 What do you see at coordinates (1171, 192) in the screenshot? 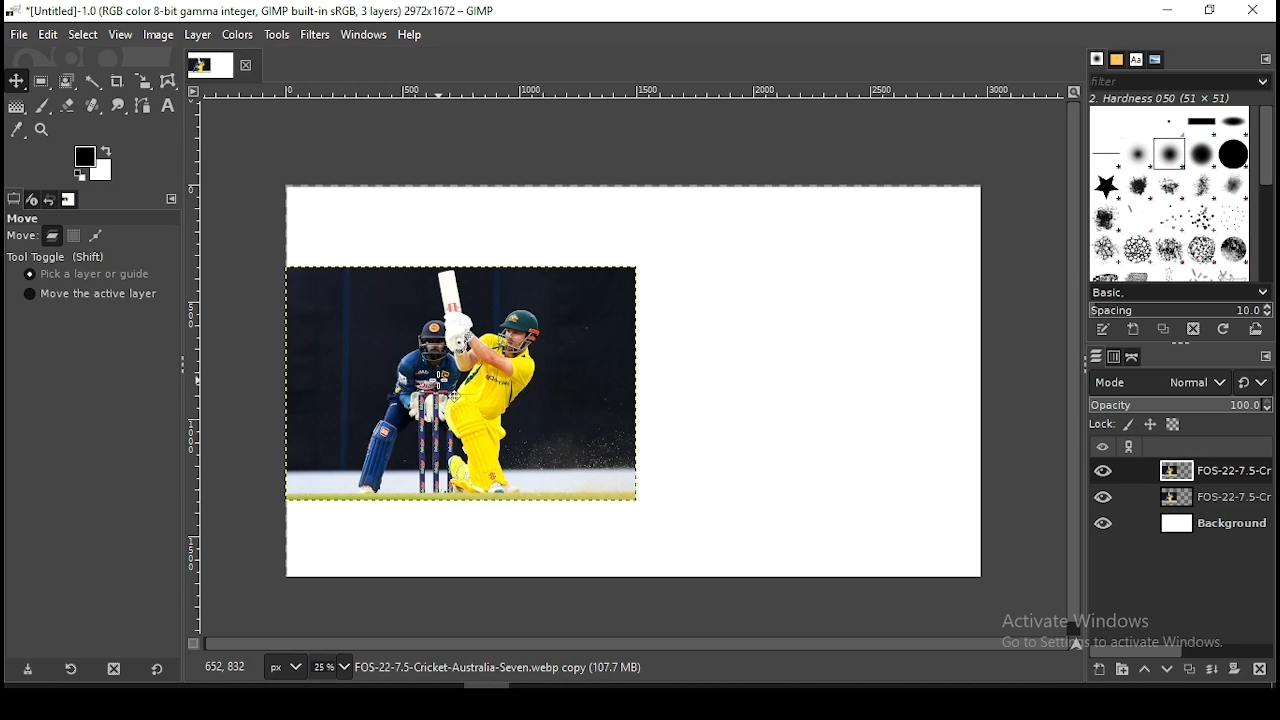
I see `Designs` at bounding box center [1171, 192].